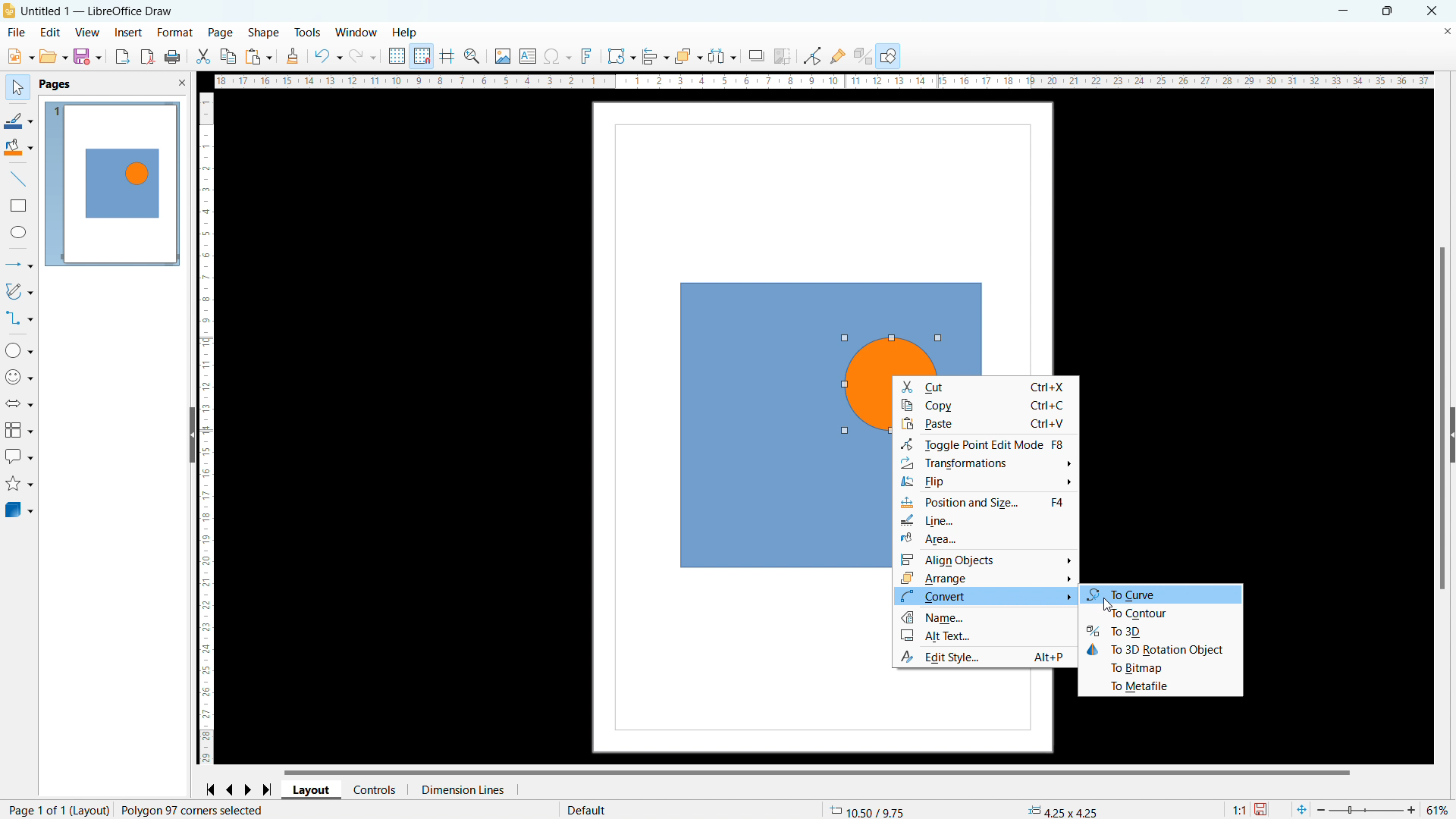 This screenshot has width=1456, height=819. I want to click on line tool, so click(18, 179).